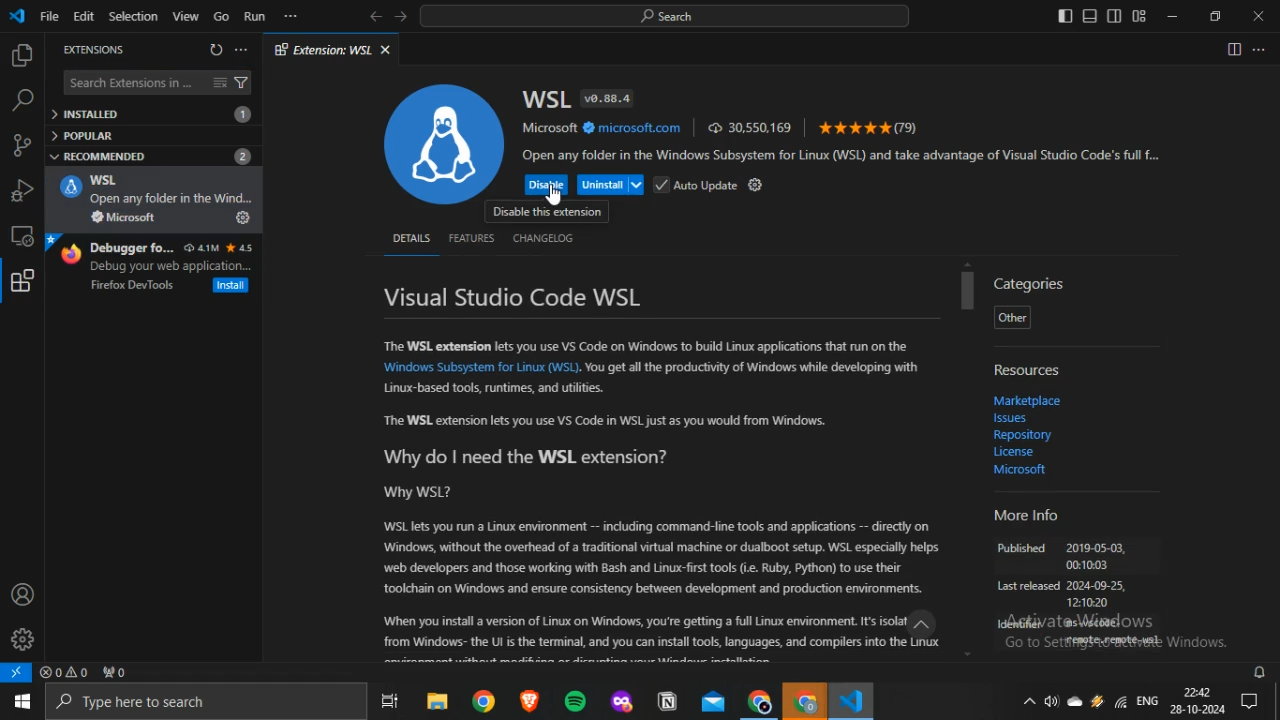 The height and width of the screenshot is (720, 1280). Describe the element at coordinates (400, 16) in the screenshot. I see `forward` at that location.